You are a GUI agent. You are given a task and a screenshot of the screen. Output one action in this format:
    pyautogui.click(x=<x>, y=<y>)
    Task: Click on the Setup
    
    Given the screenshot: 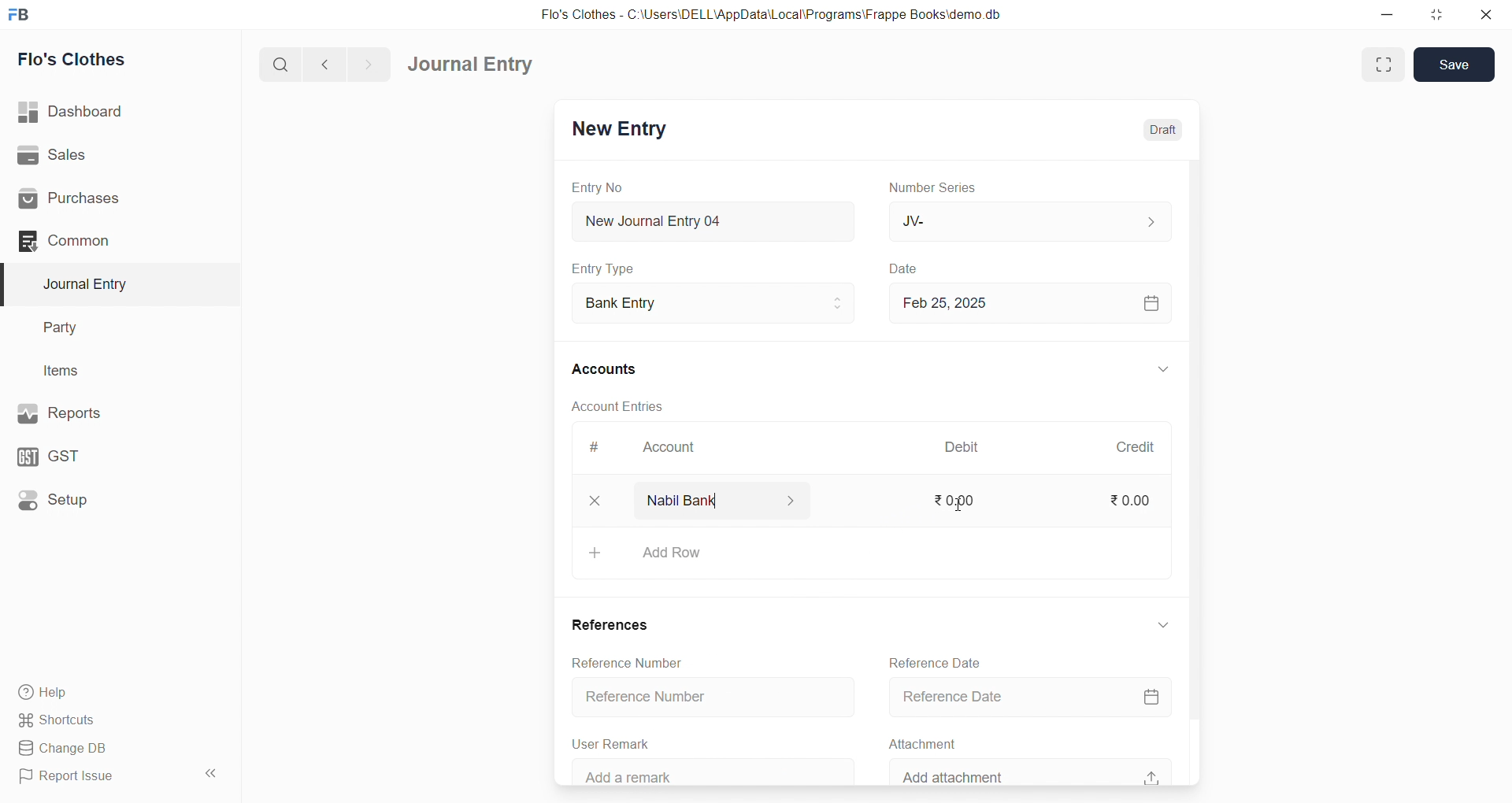 What is the action you would take?
    pyautogui.click(x=111, y=498)
    